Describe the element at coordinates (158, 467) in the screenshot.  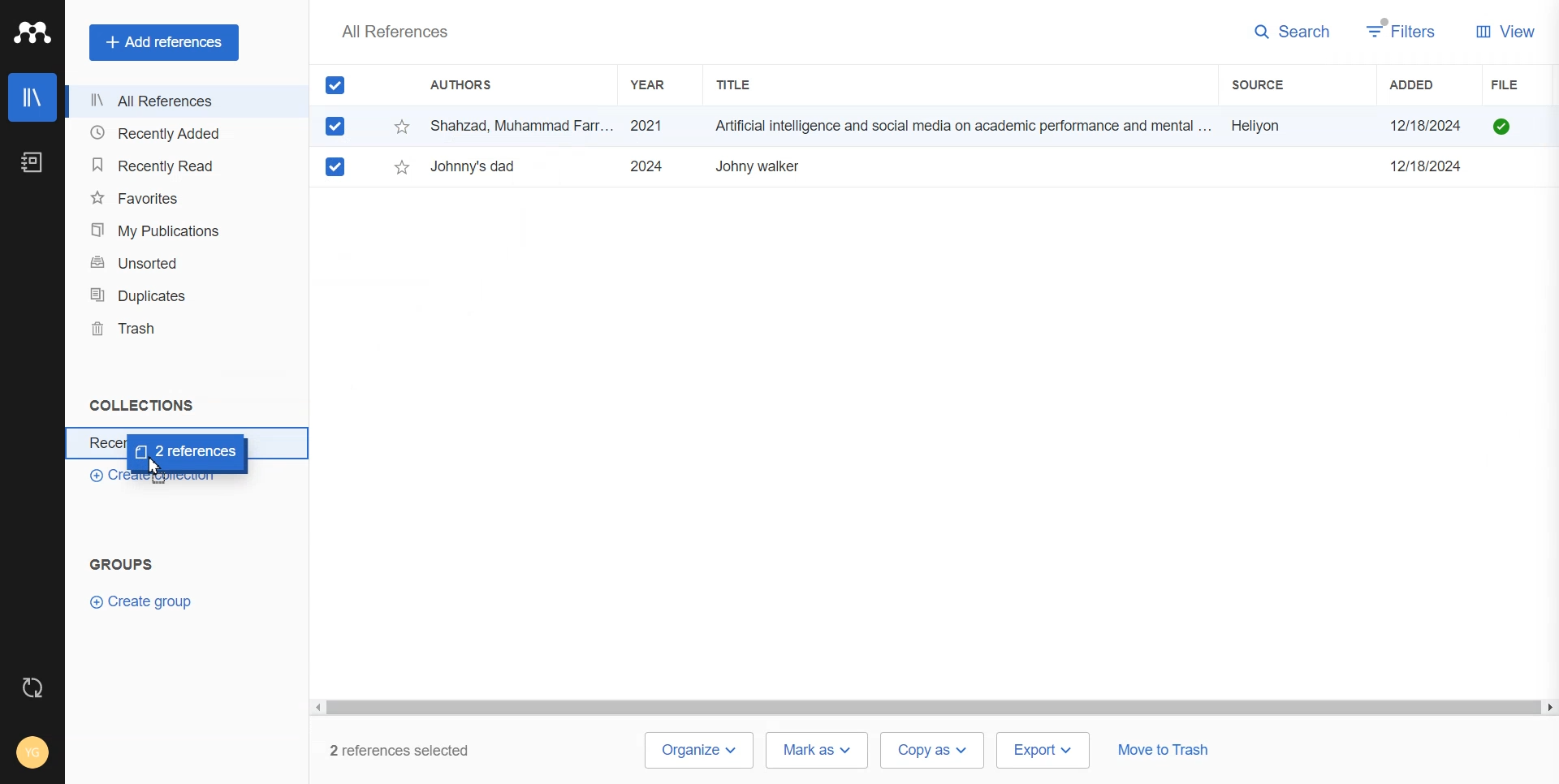
I see `Cursor` at that location.